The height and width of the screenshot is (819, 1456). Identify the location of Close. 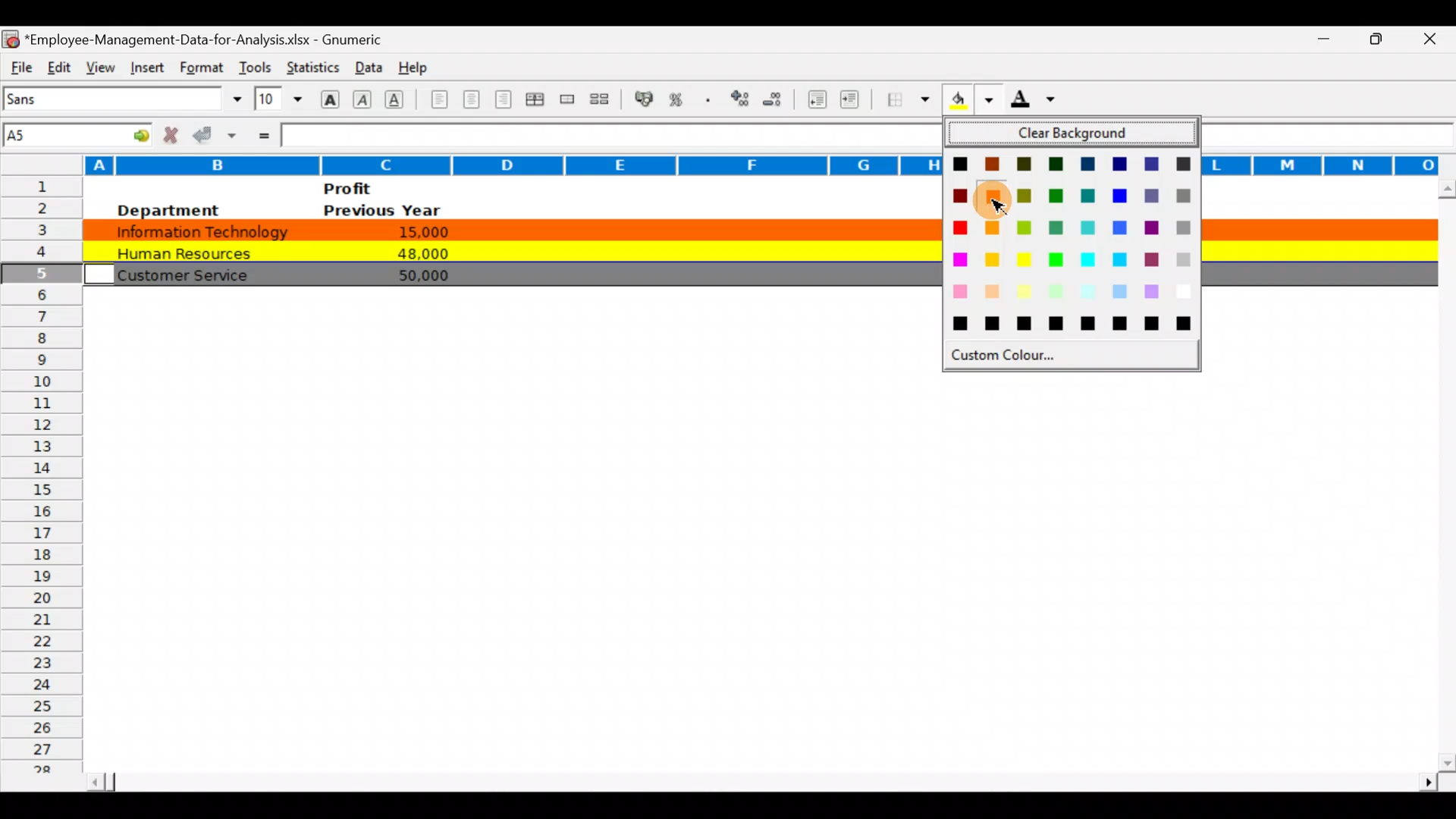
(1435, 40).